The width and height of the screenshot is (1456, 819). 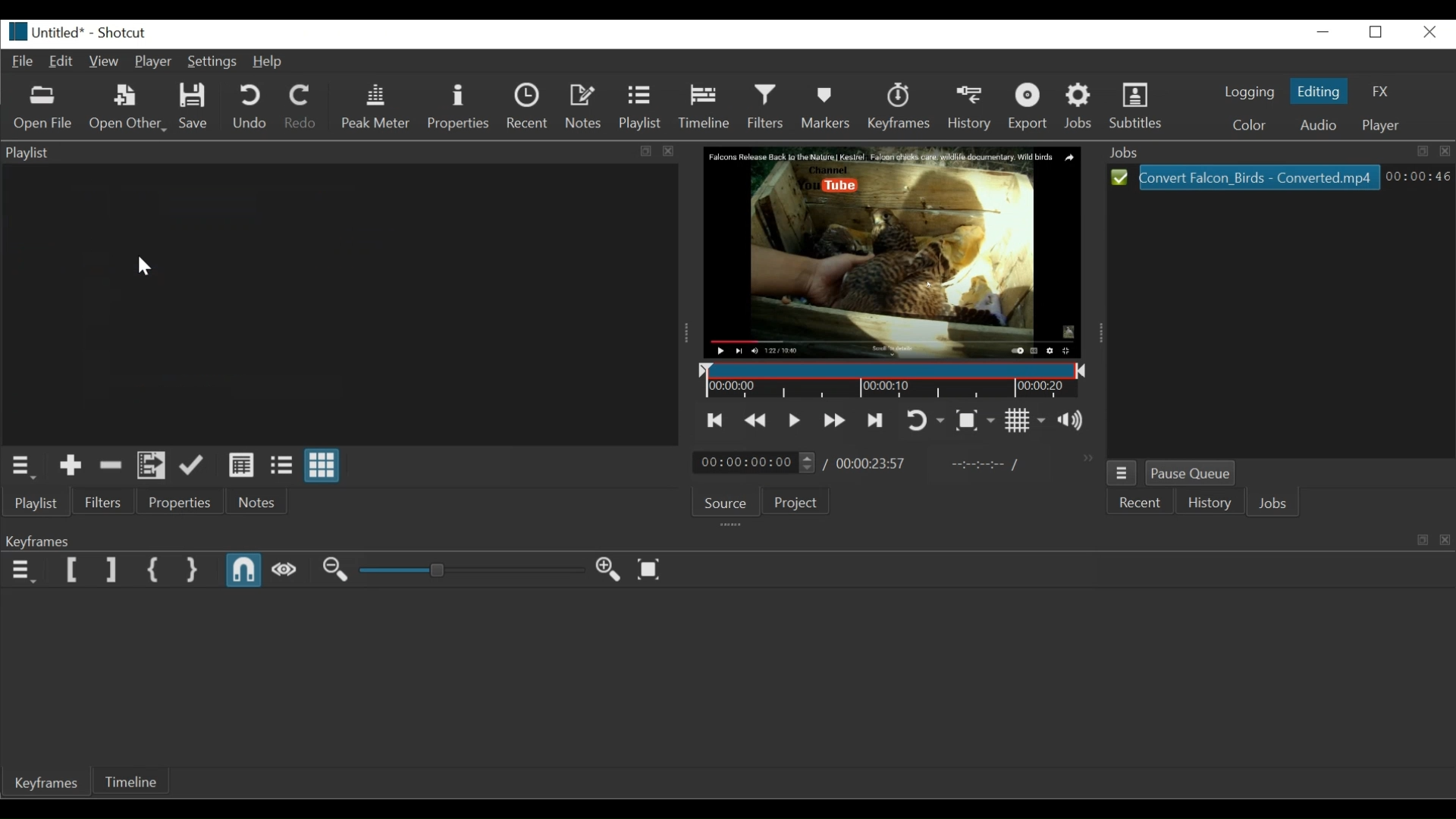 What do you see at coordinates (281, 466) in the screenshot?
I see `View as Files` at bounding box center [281, 466].